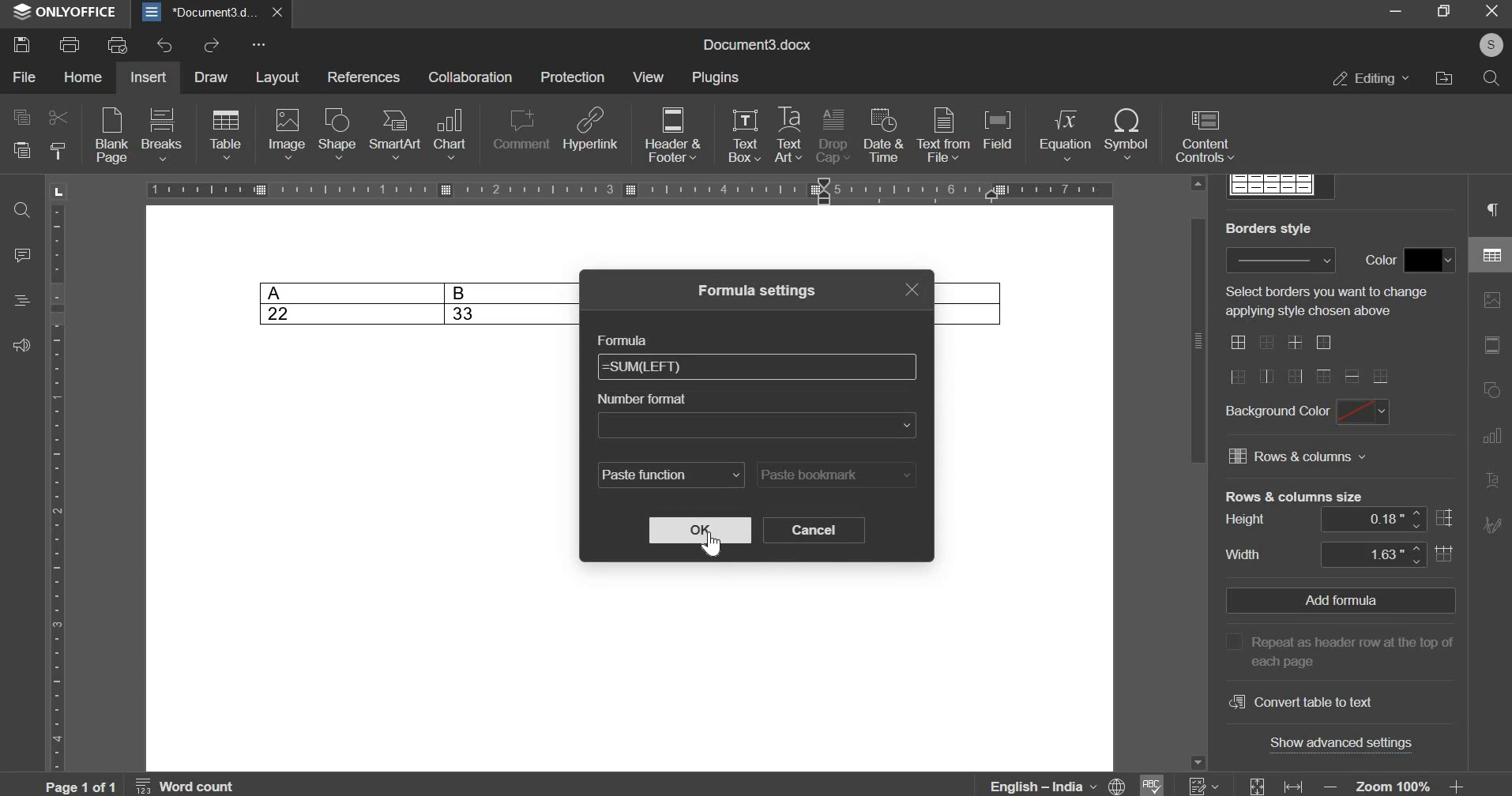  I want to click on chart settings, so click(1491, 436).